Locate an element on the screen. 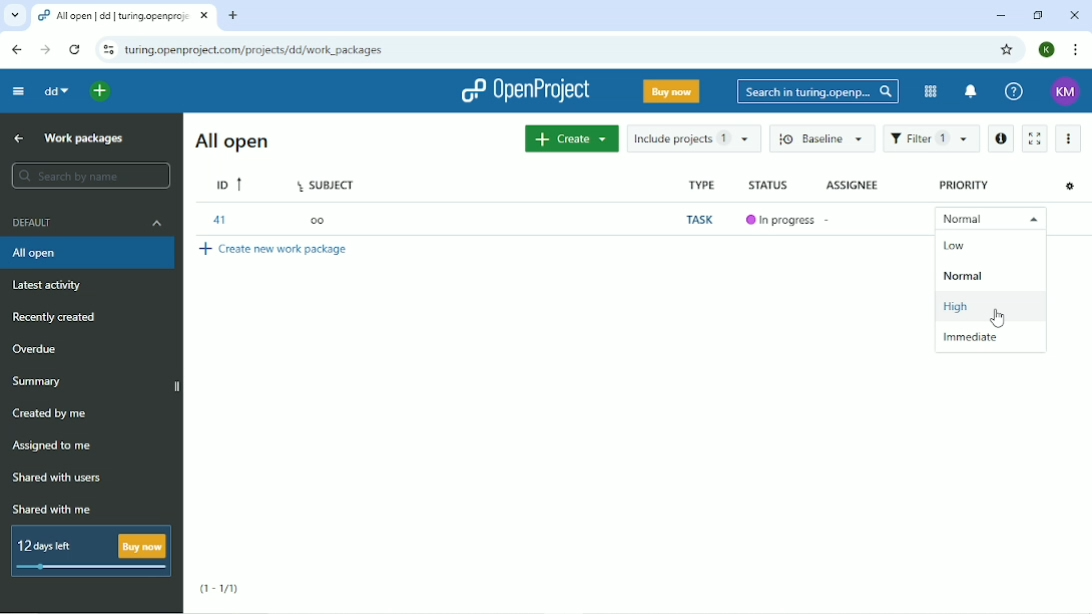  In progress is located at coordinates (787, 222).